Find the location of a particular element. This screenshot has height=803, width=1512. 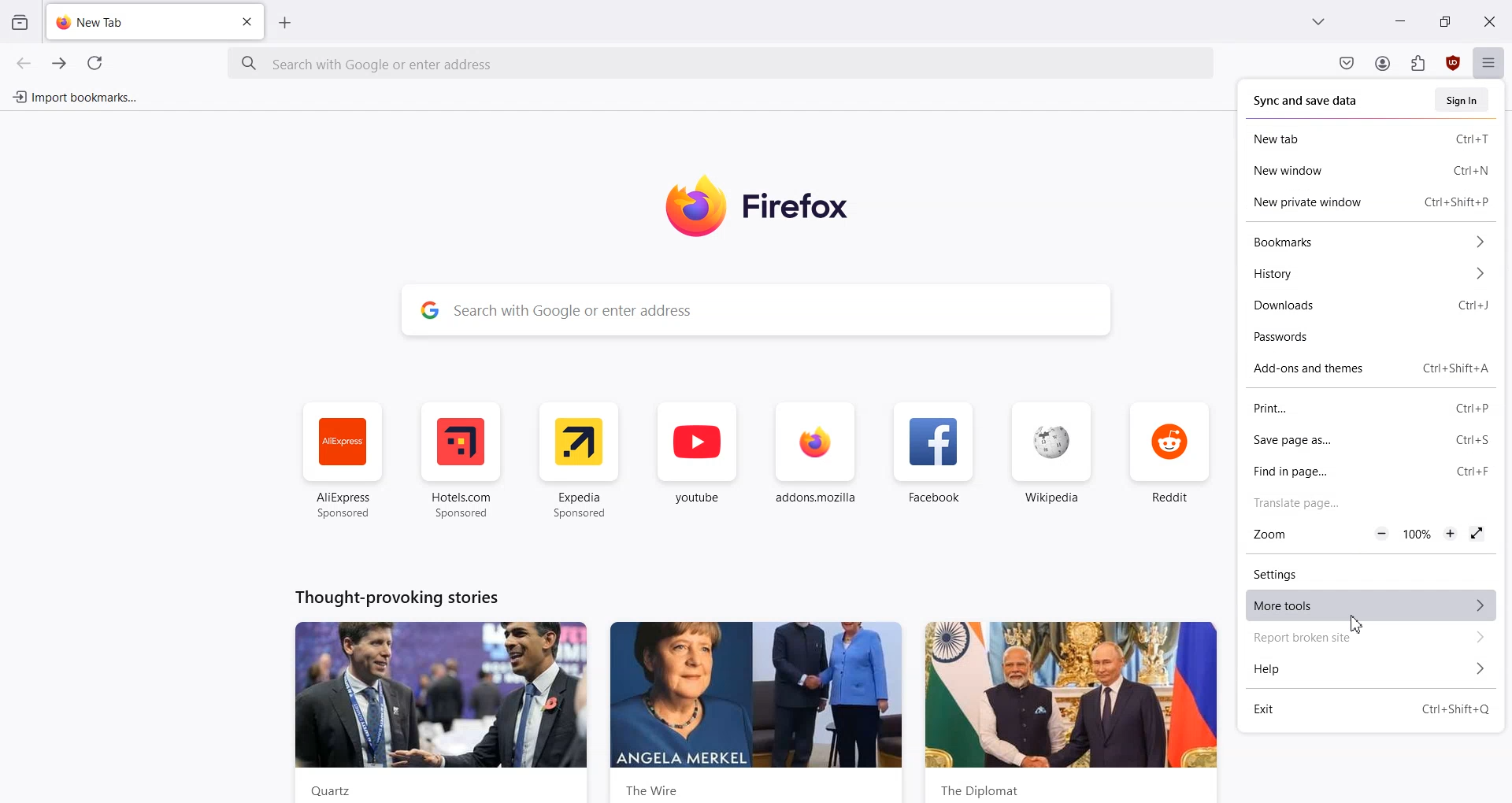

Shortcut key is located at coordinates (1473, 470).